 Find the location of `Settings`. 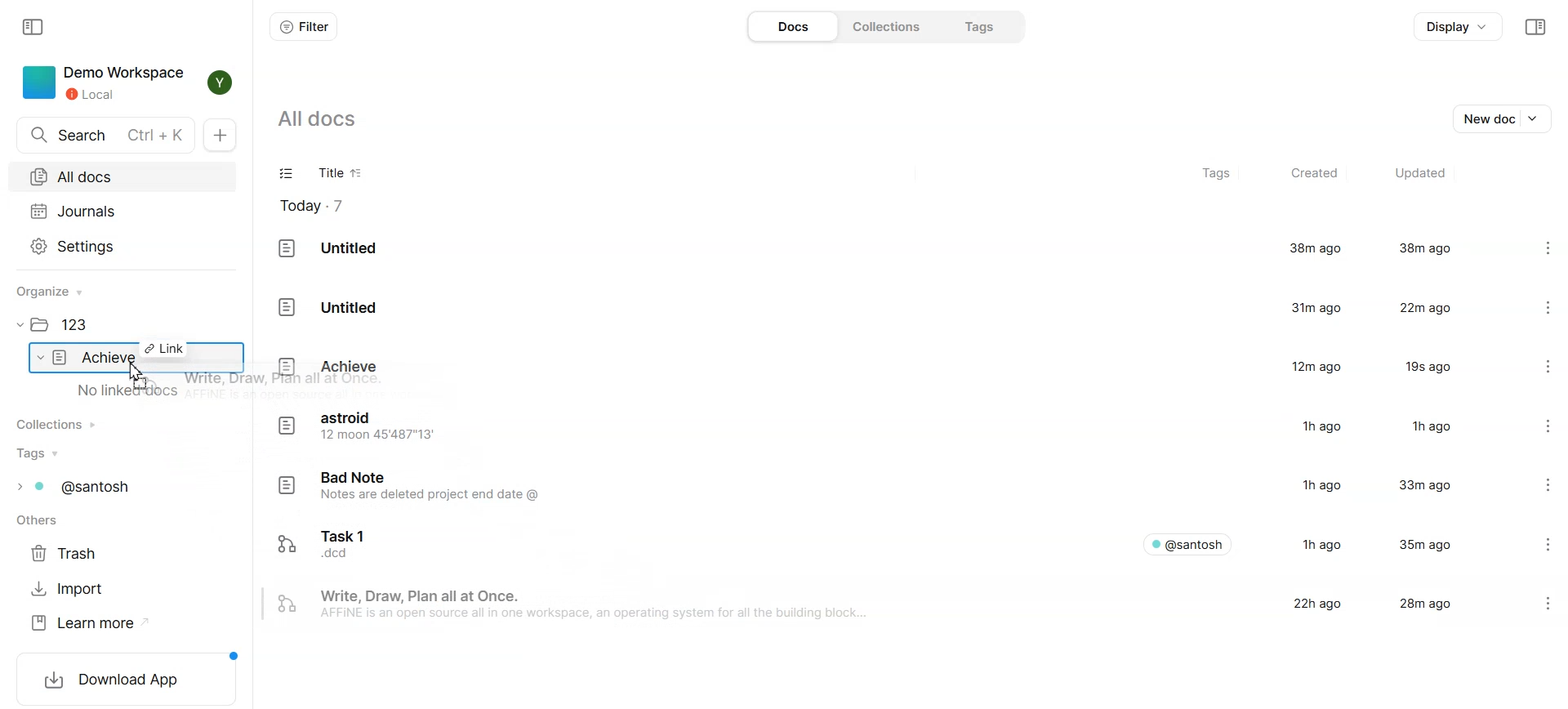

Settings is located at coordinates (1535, 305).